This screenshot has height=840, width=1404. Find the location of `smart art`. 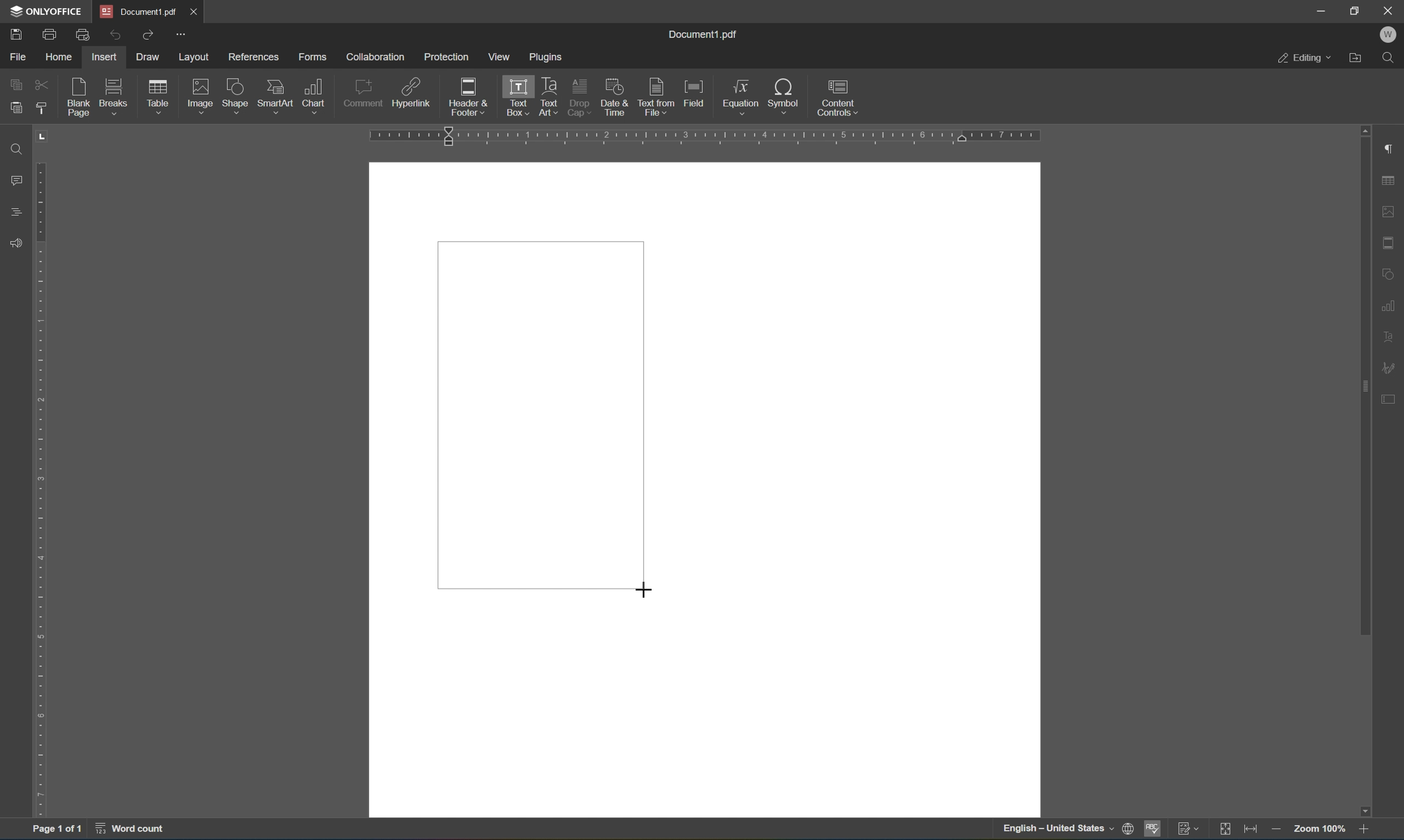

smart art is located at coordinates (277, 96).